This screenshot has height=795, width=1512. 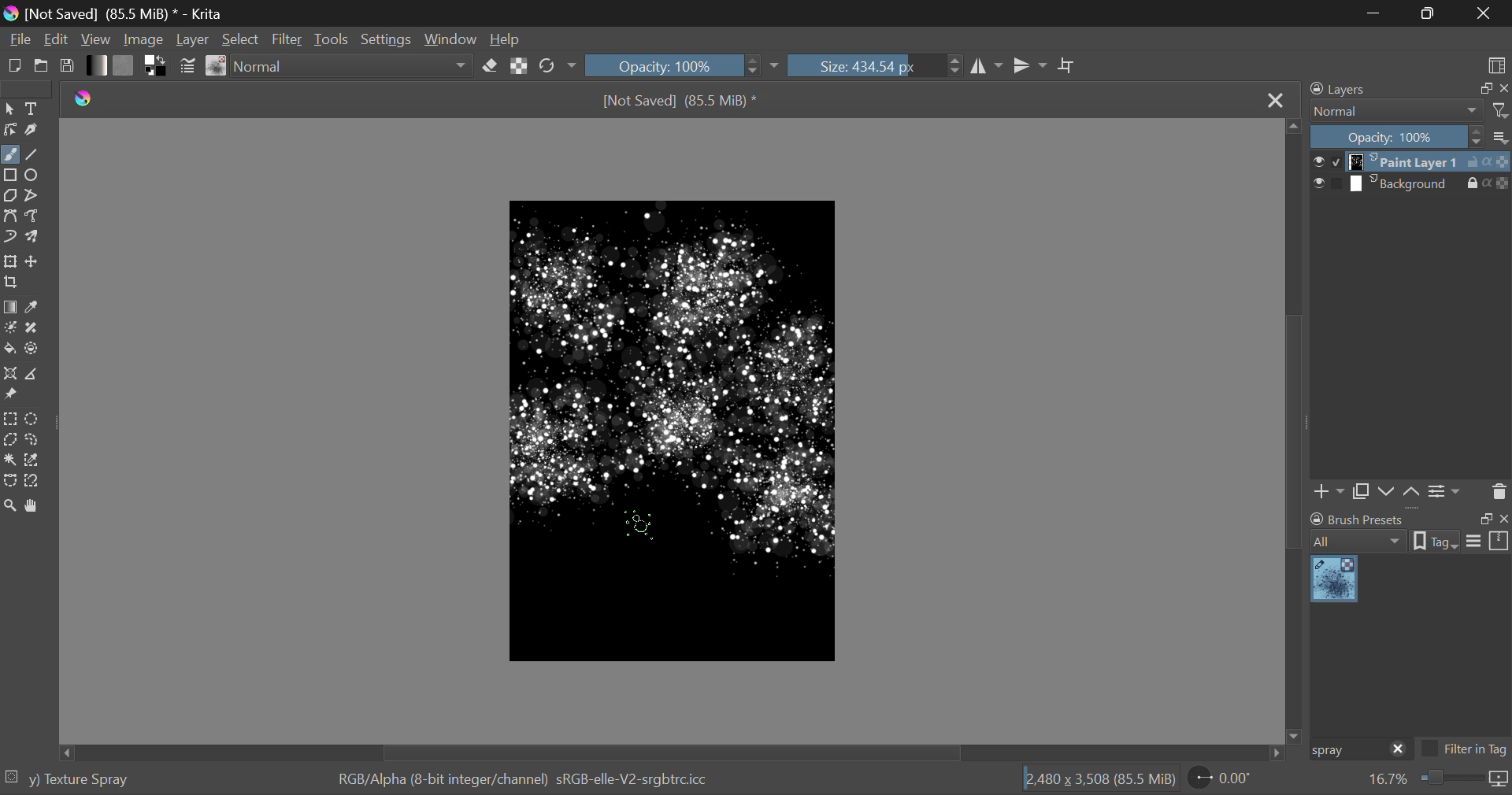 What do you see at coordinates (1295, 429) in the screenshot?
I see `Scroll Bar` at bounding box center [1295, 429].